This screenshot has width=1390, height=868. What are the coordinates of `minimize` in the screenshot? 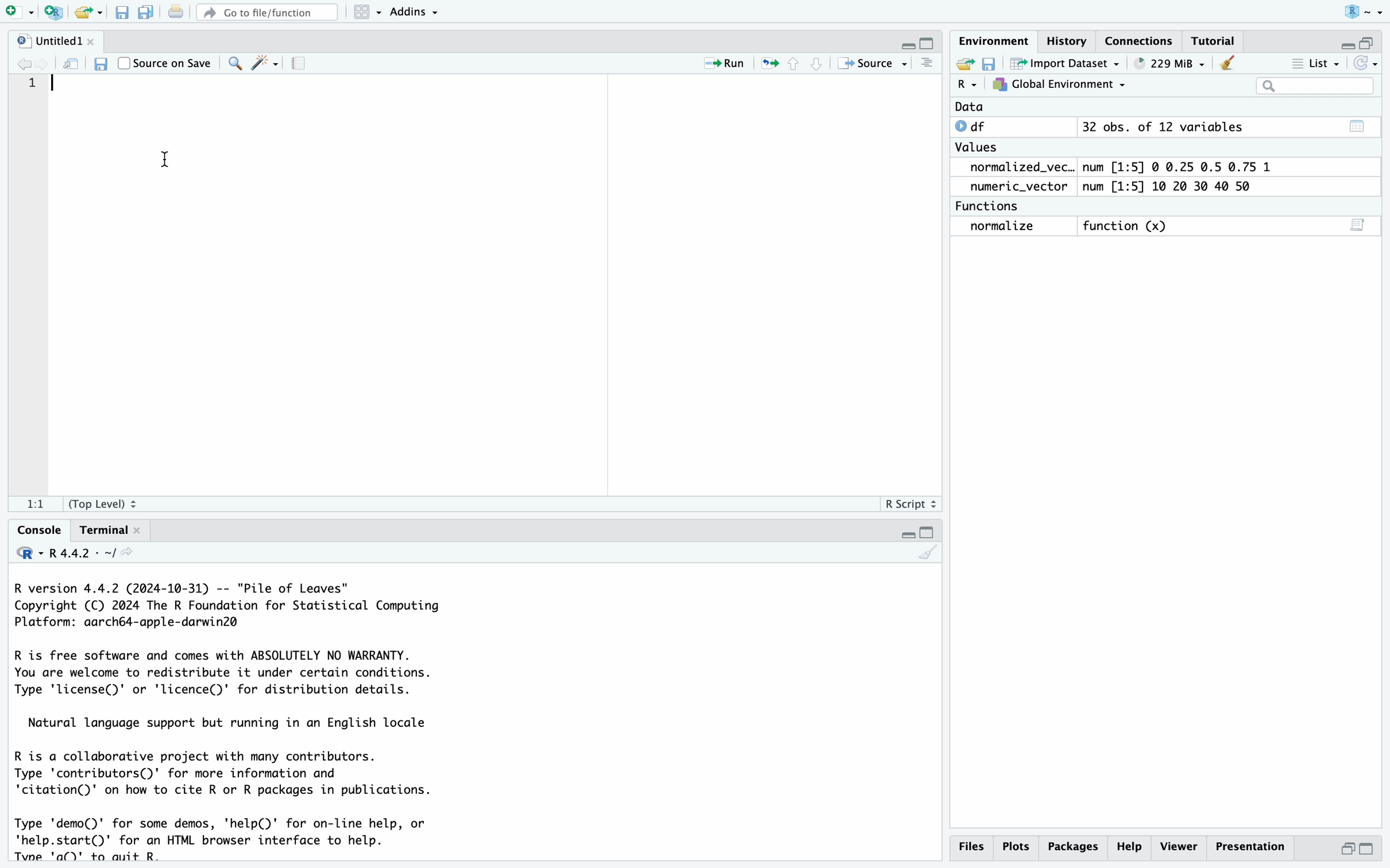 It's located at (1347, 848).